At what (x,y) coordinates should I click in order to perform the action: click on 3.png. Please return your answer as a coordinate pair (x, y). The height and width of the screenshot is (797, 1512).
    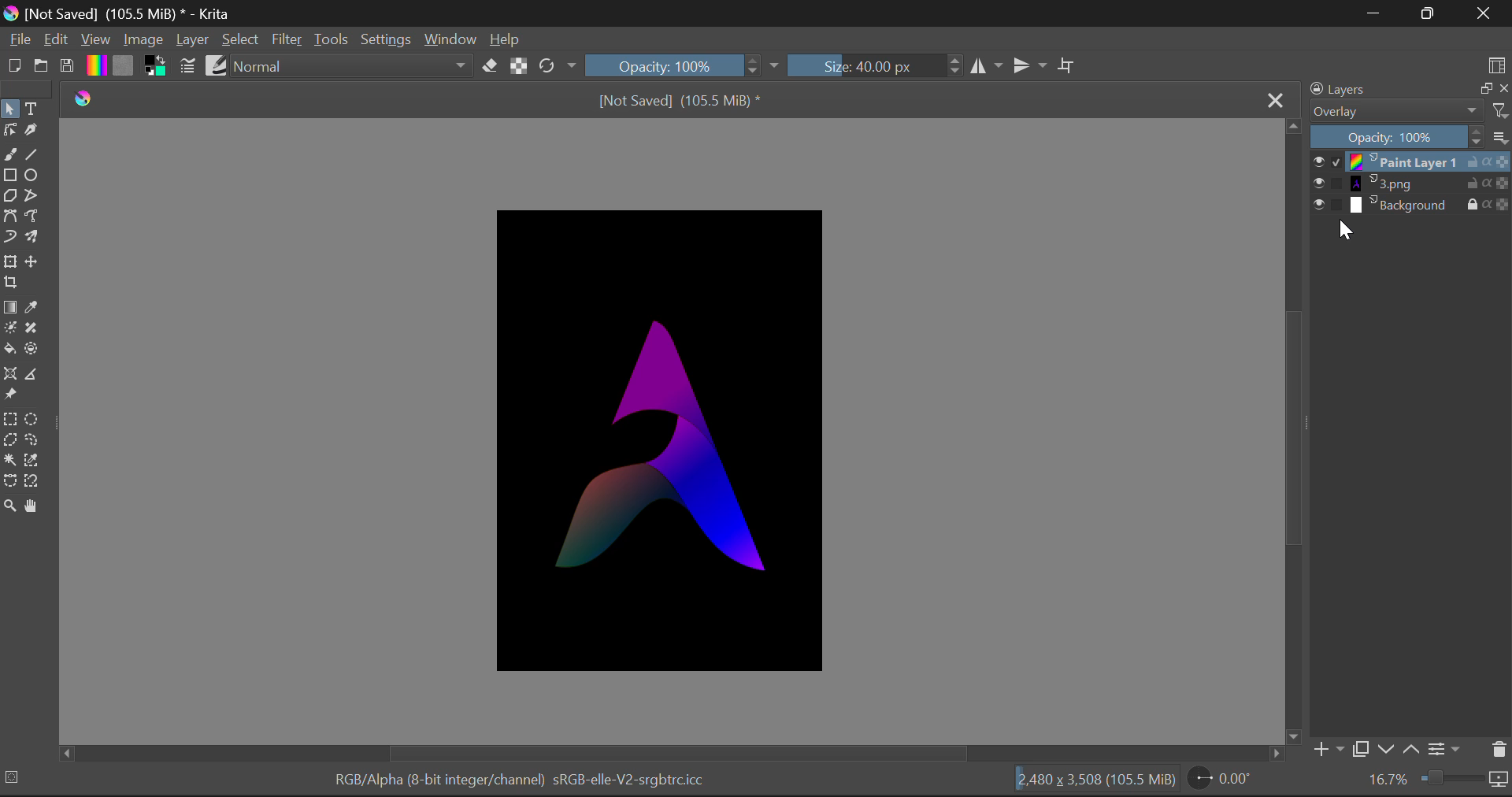
    Looking at the image, I should click on (1403, 183).